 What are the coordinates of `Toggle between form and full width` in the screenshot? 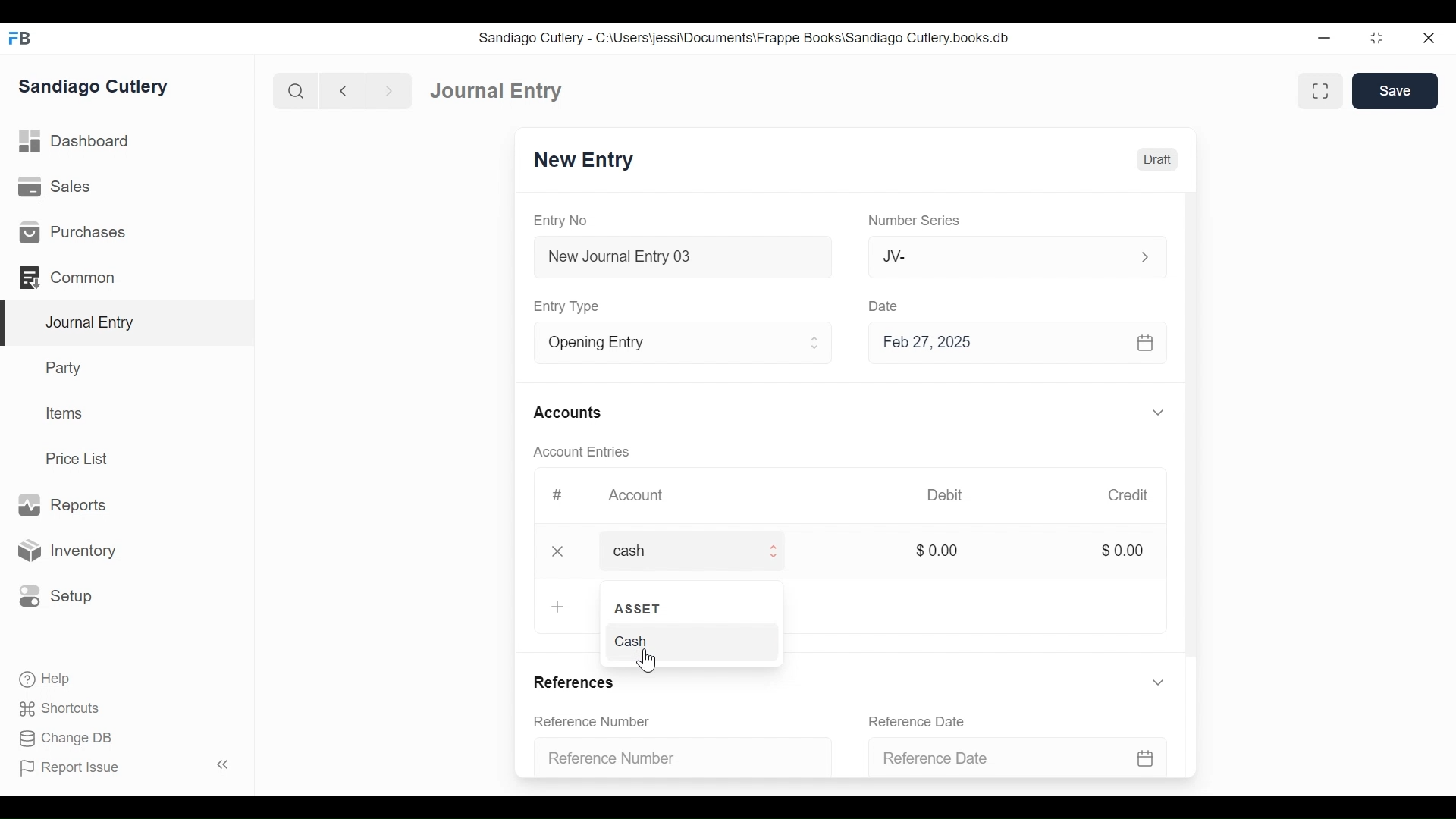 It's located at (1320, 90).